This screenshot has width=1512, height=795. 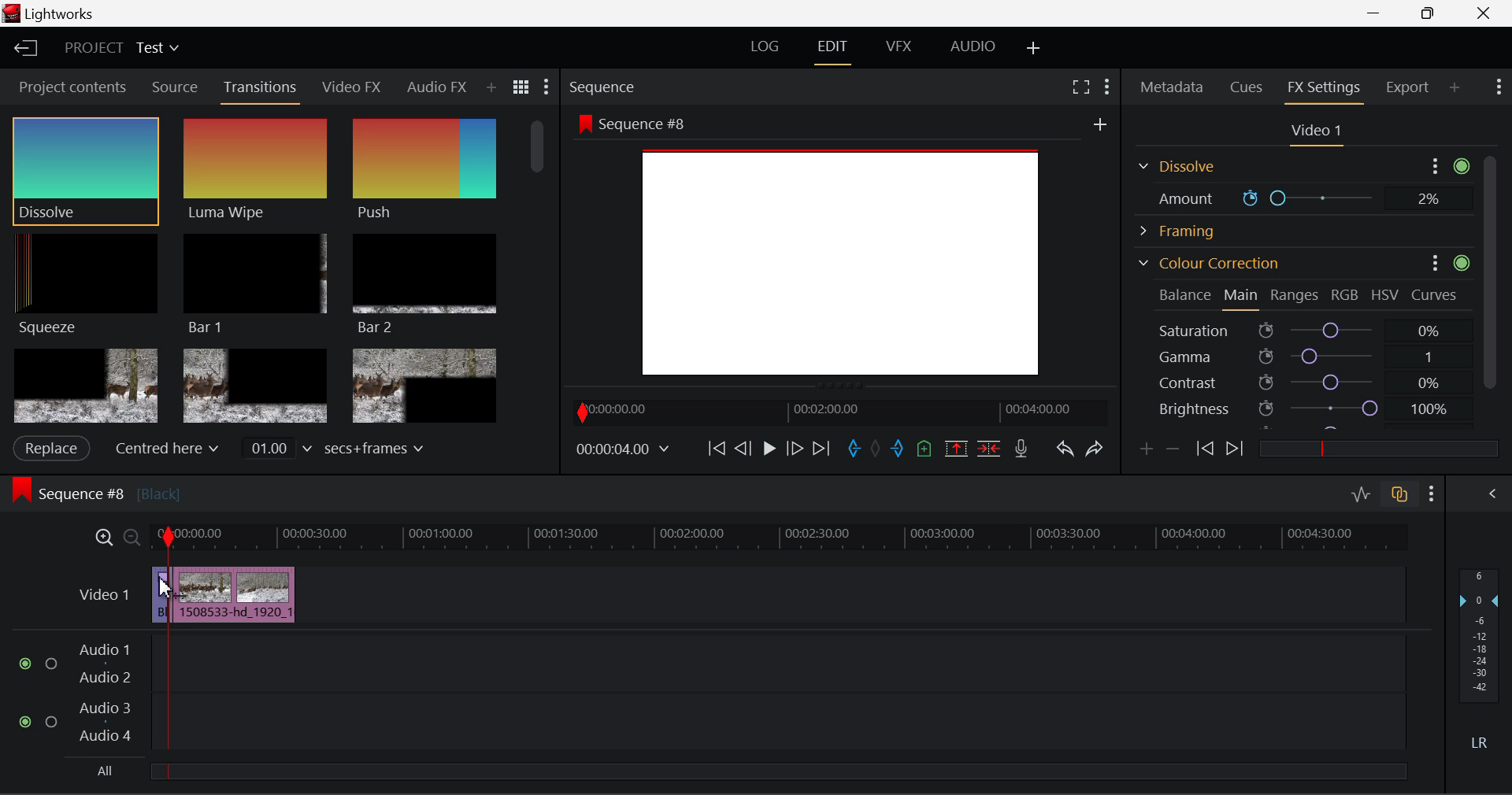 What do you see at coordinates (1362, 492) in the screenshot?
I see `Toggle audio editing levels` at bounding box center [1362, 492].